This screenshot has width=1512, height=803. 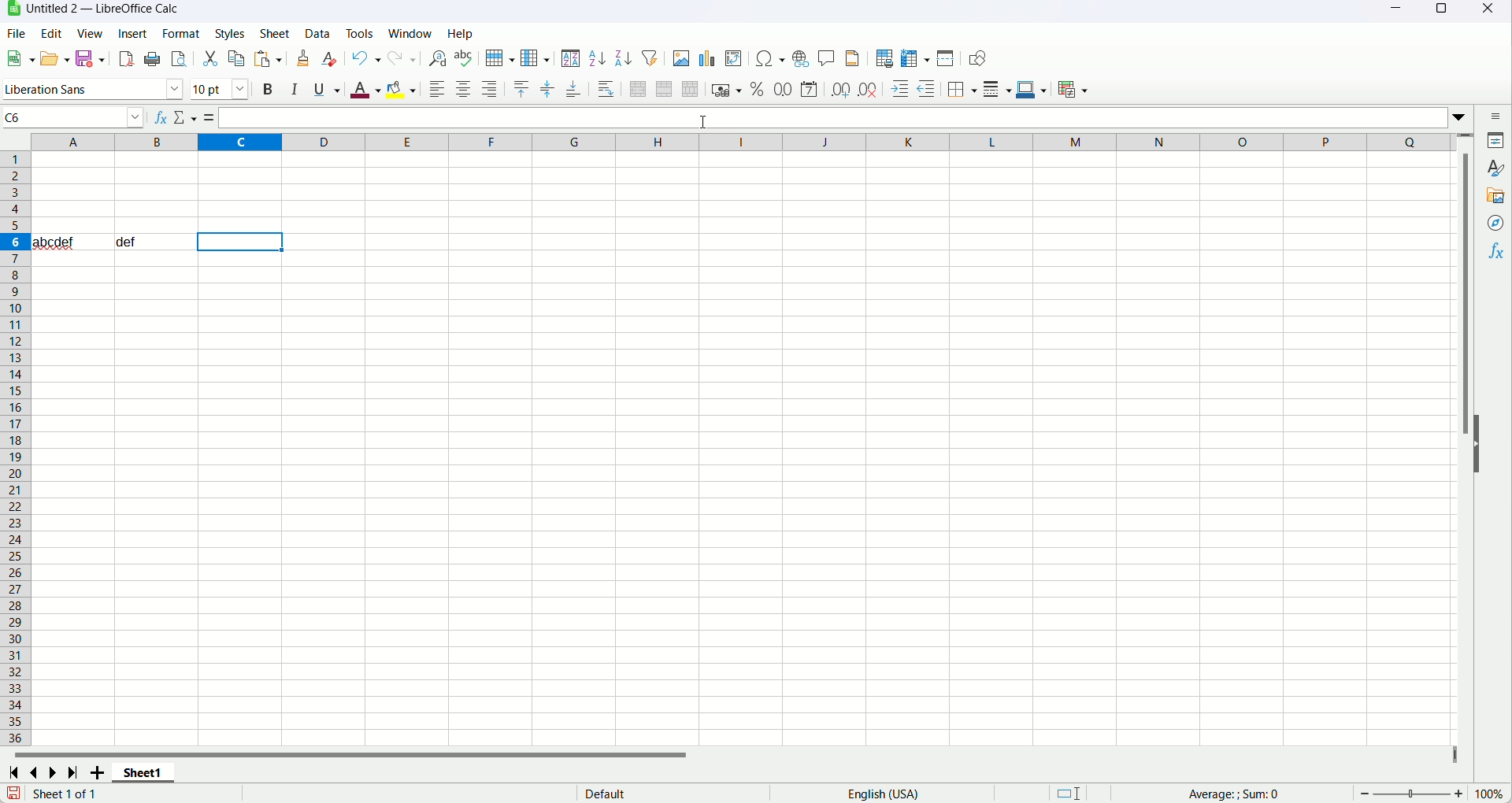 What do you see at coordinates (573, 90) in the screenshot?
I see `align bottom` at bounding box center [573, 90].